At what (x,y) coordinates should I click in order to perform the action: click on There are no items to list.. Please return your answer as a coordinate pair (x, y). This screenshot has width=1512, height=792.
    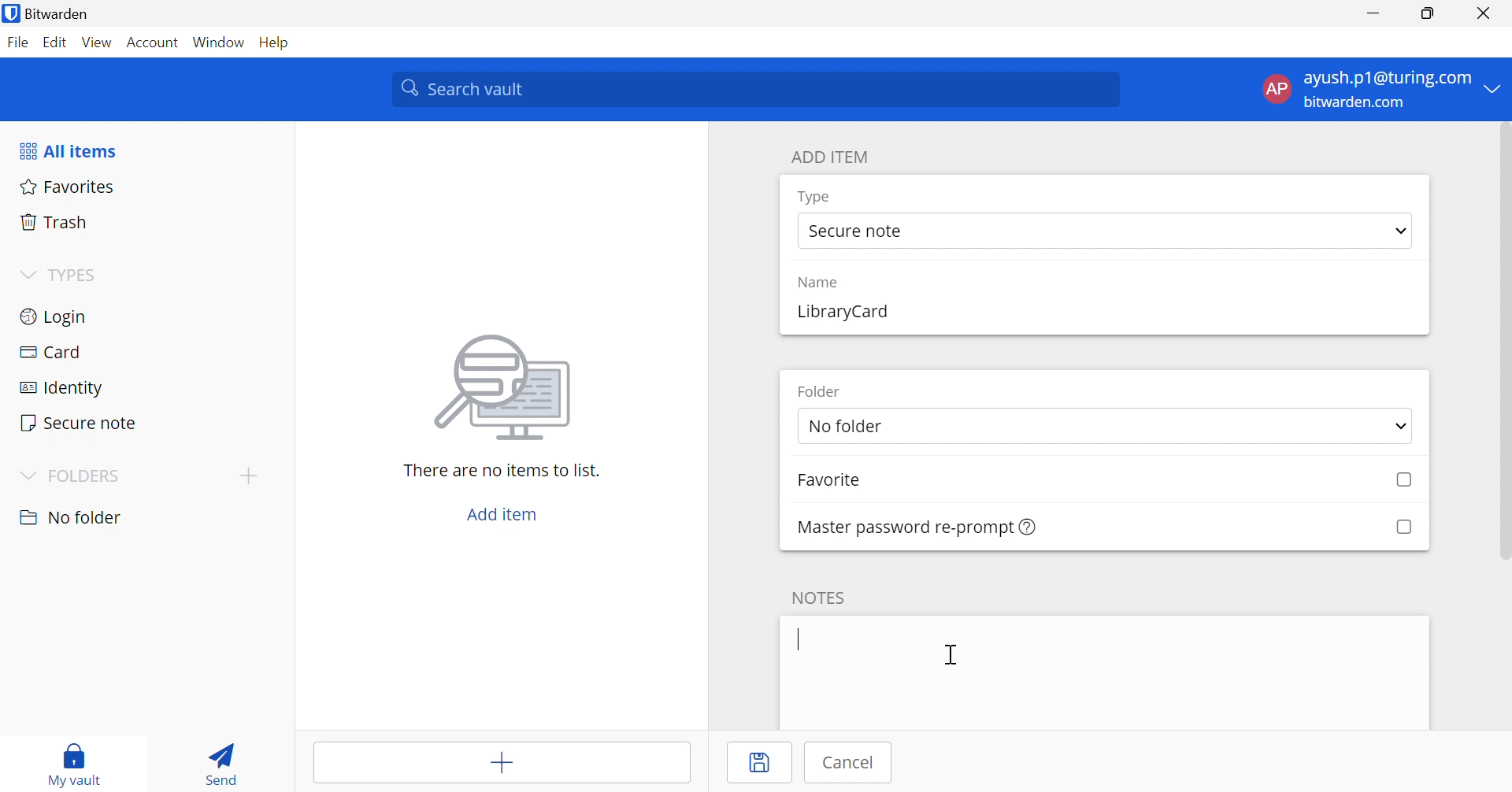
    Looking at the image, I should click on (502, 470).